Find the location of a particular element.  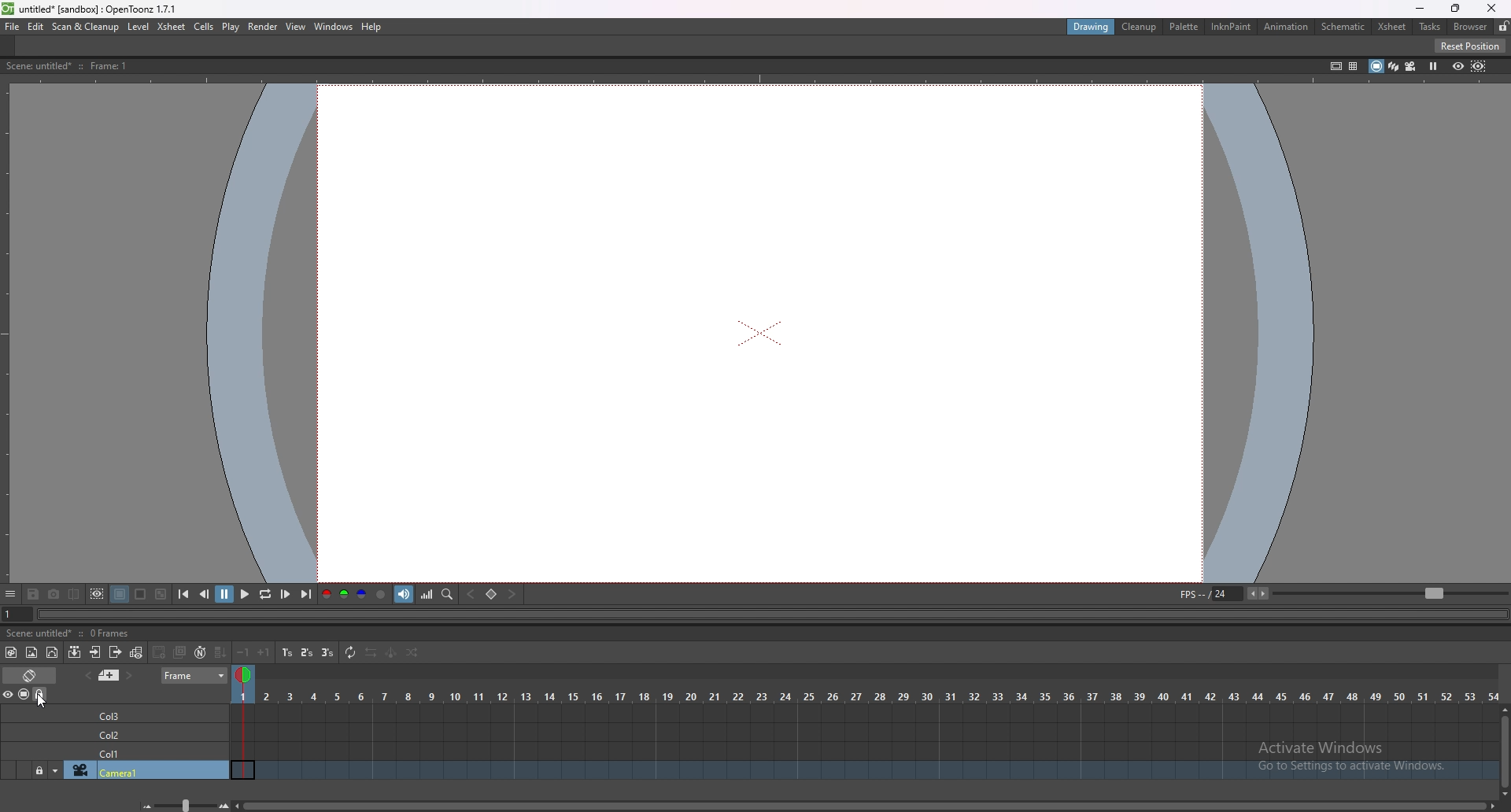

freeze is located at coordinates (1435, 65).